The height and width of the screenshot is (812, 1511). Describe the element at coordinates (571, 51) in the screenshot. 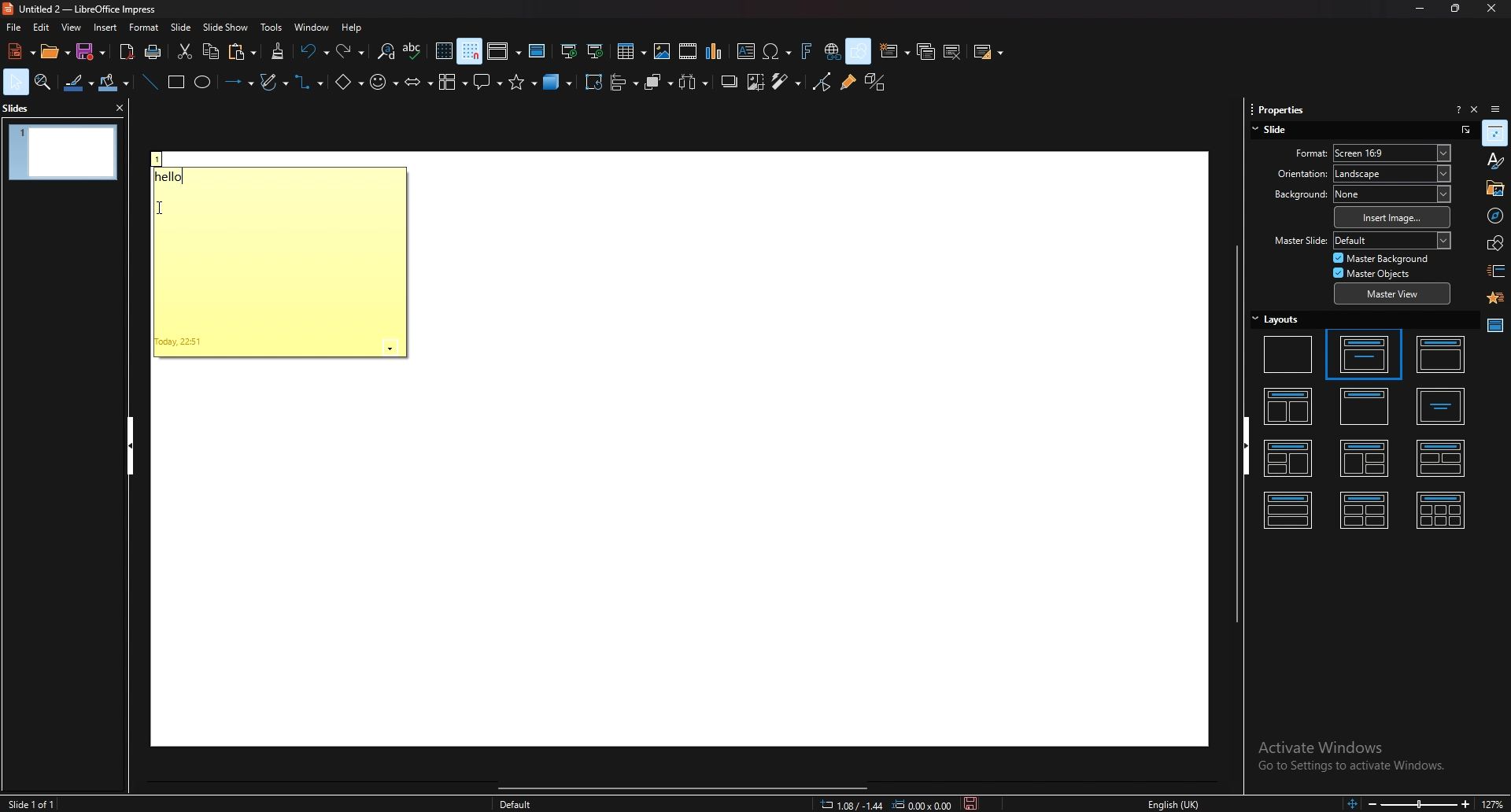

I see `start from first slide` at that location.